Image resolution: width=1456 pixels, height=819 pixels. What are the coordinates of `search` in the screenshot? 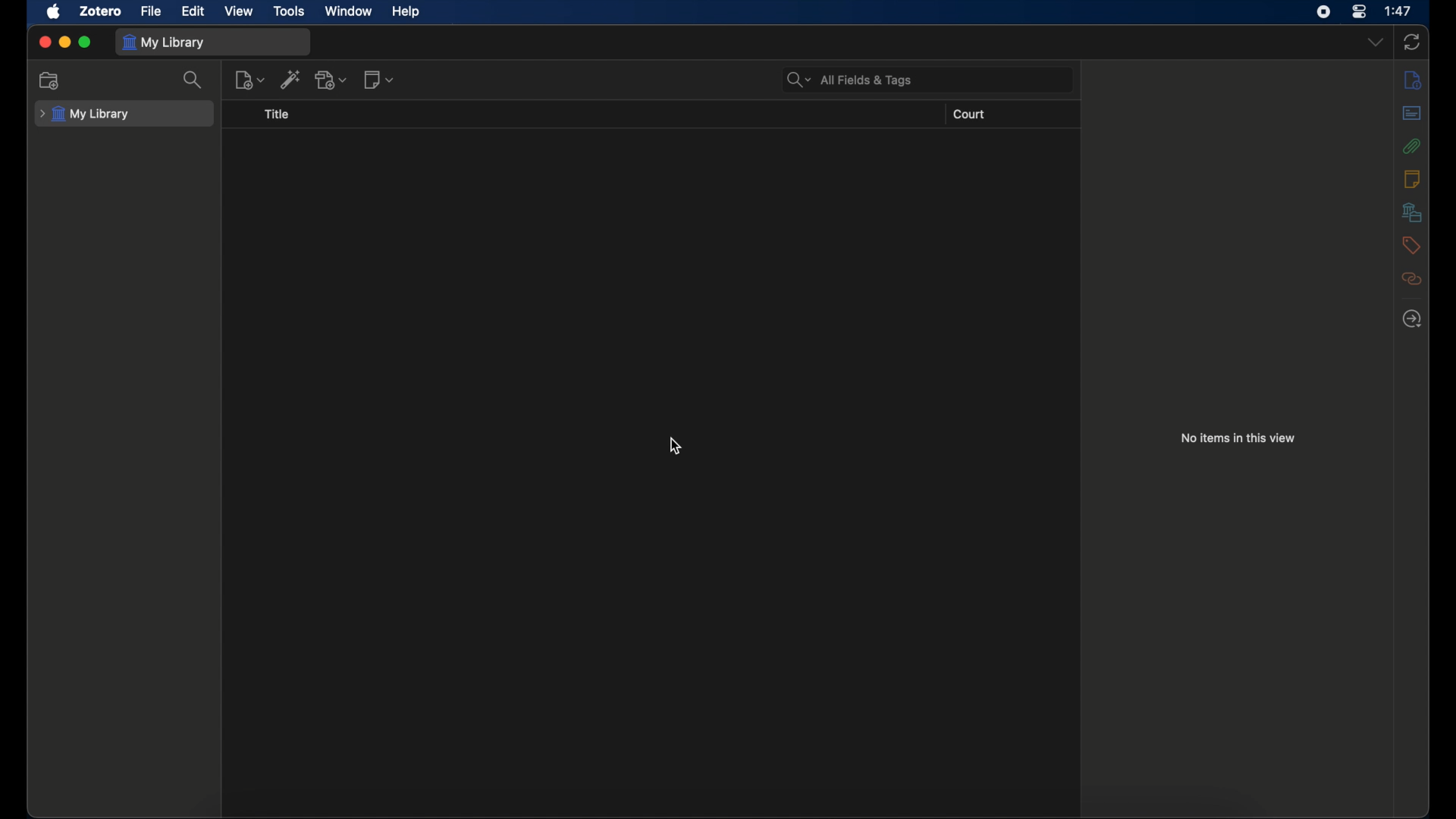 It's located at (194, 79).